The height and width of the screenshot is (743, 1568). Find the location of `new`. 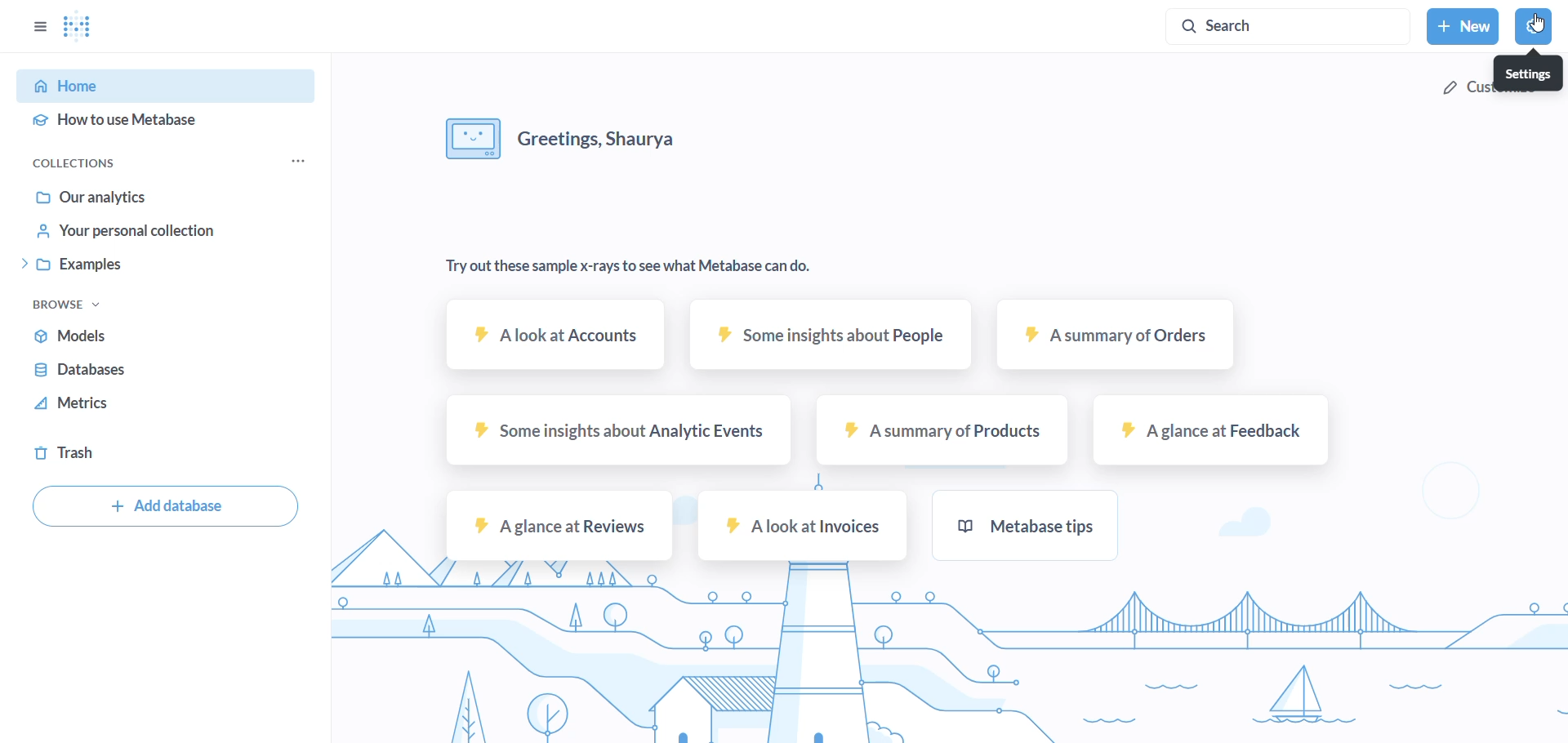

new is located at coordinates (1464, 27).